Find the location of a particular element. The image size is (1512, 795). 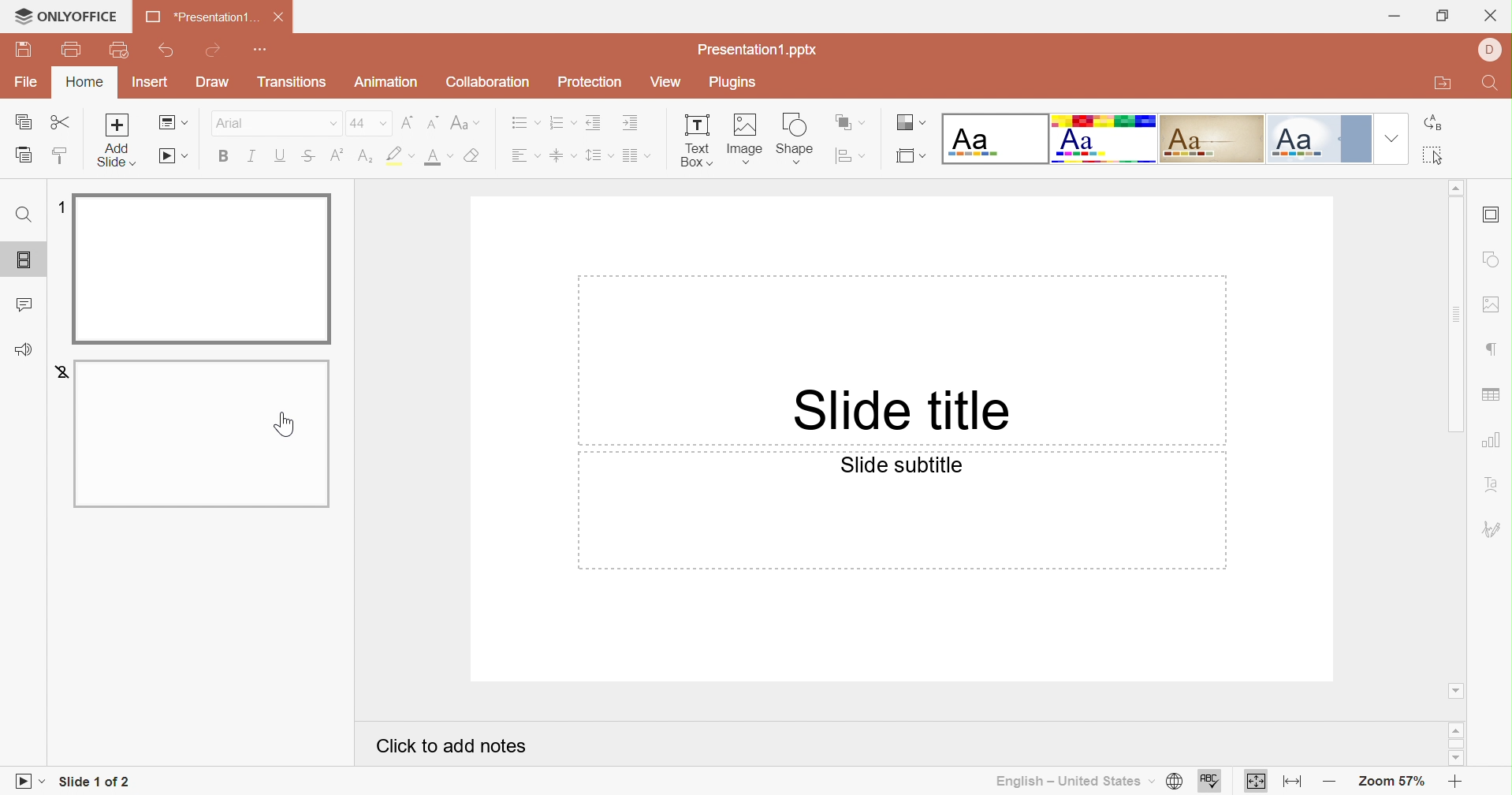

Hidden slide preview is located at coordinates (199, 435).